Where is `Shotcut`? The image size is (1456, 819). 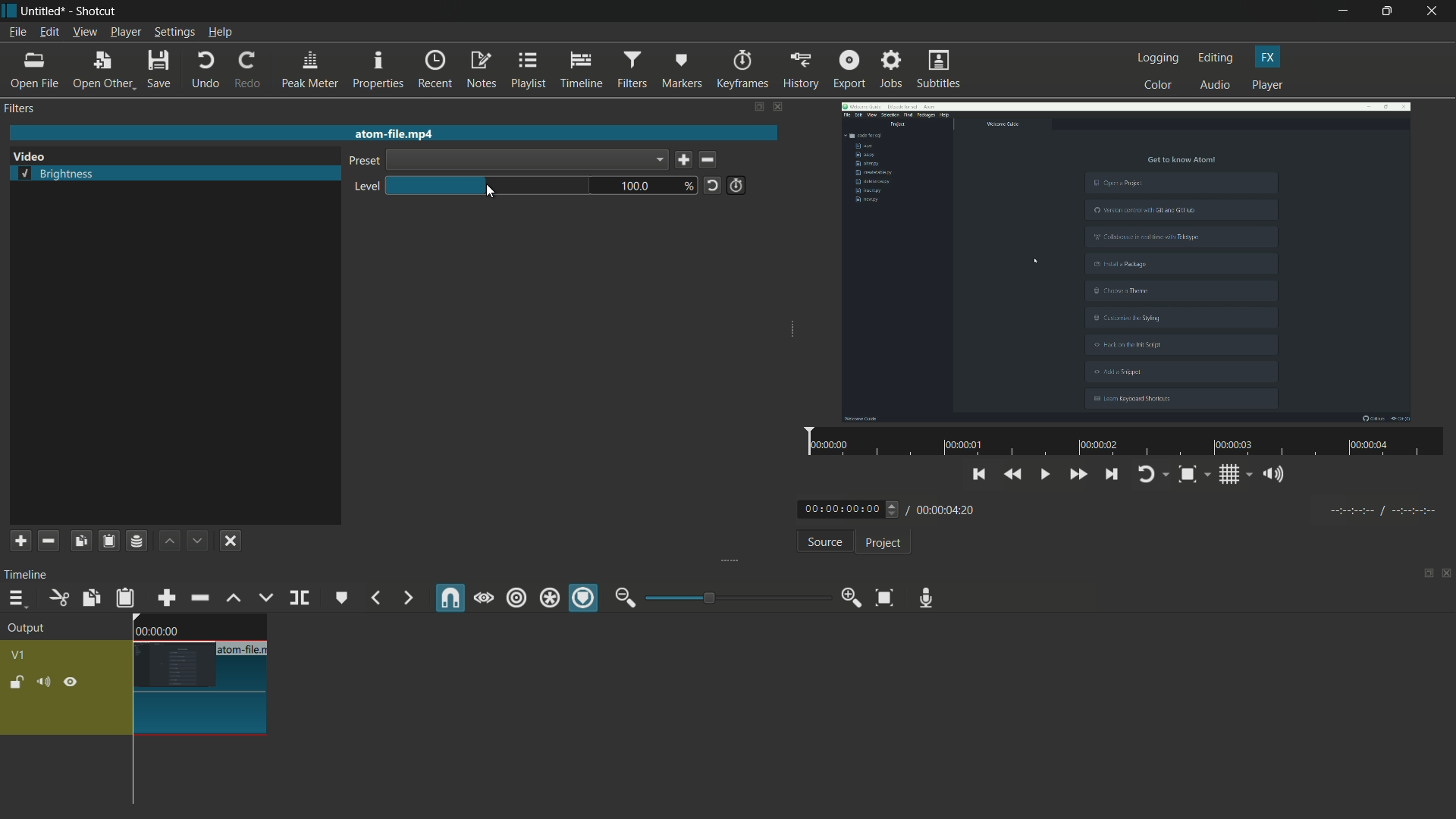
Shotcut is located at coordinates (97, 12).